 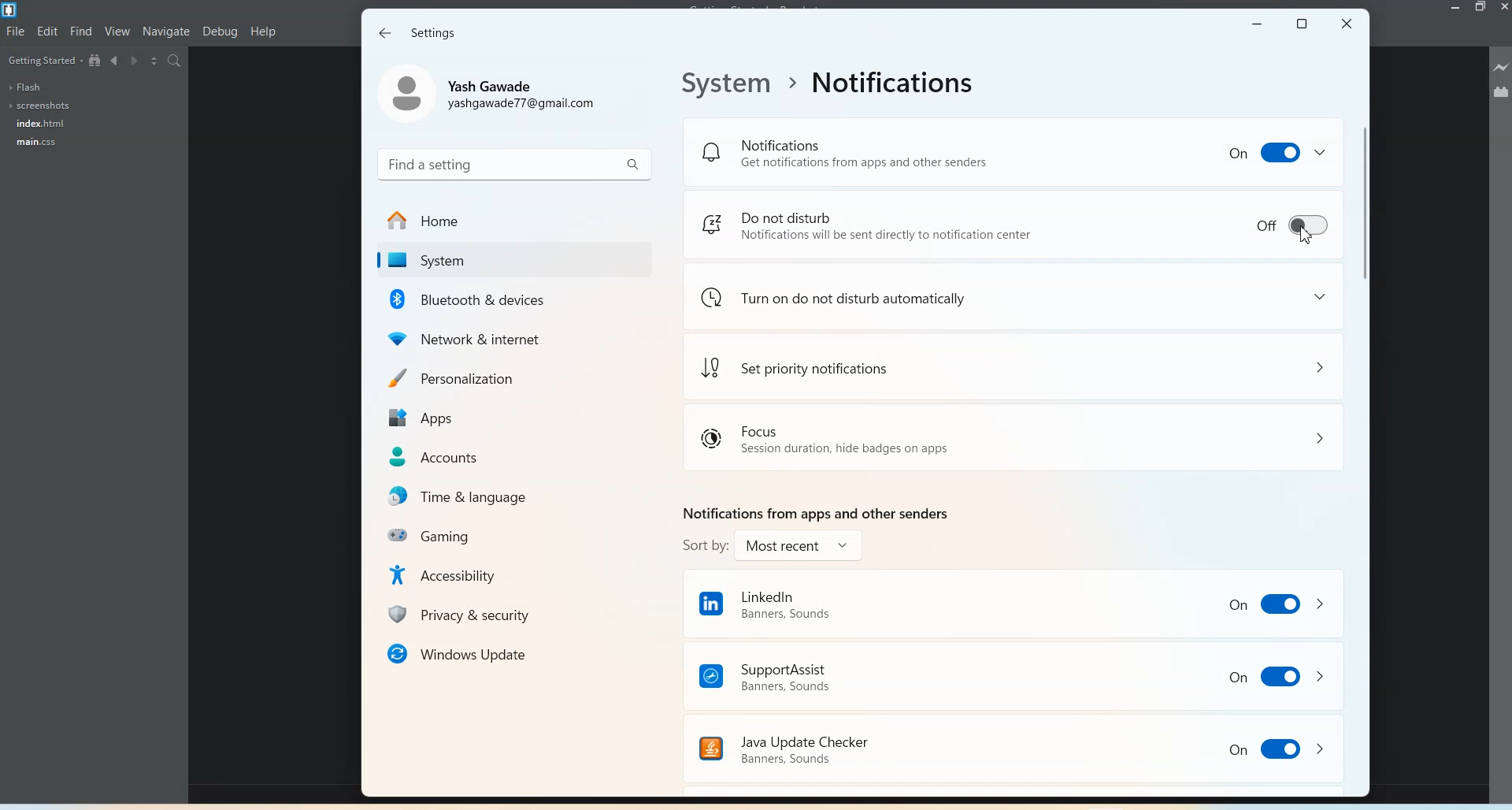 I want to click on index.html, so click(x=37, y=123).